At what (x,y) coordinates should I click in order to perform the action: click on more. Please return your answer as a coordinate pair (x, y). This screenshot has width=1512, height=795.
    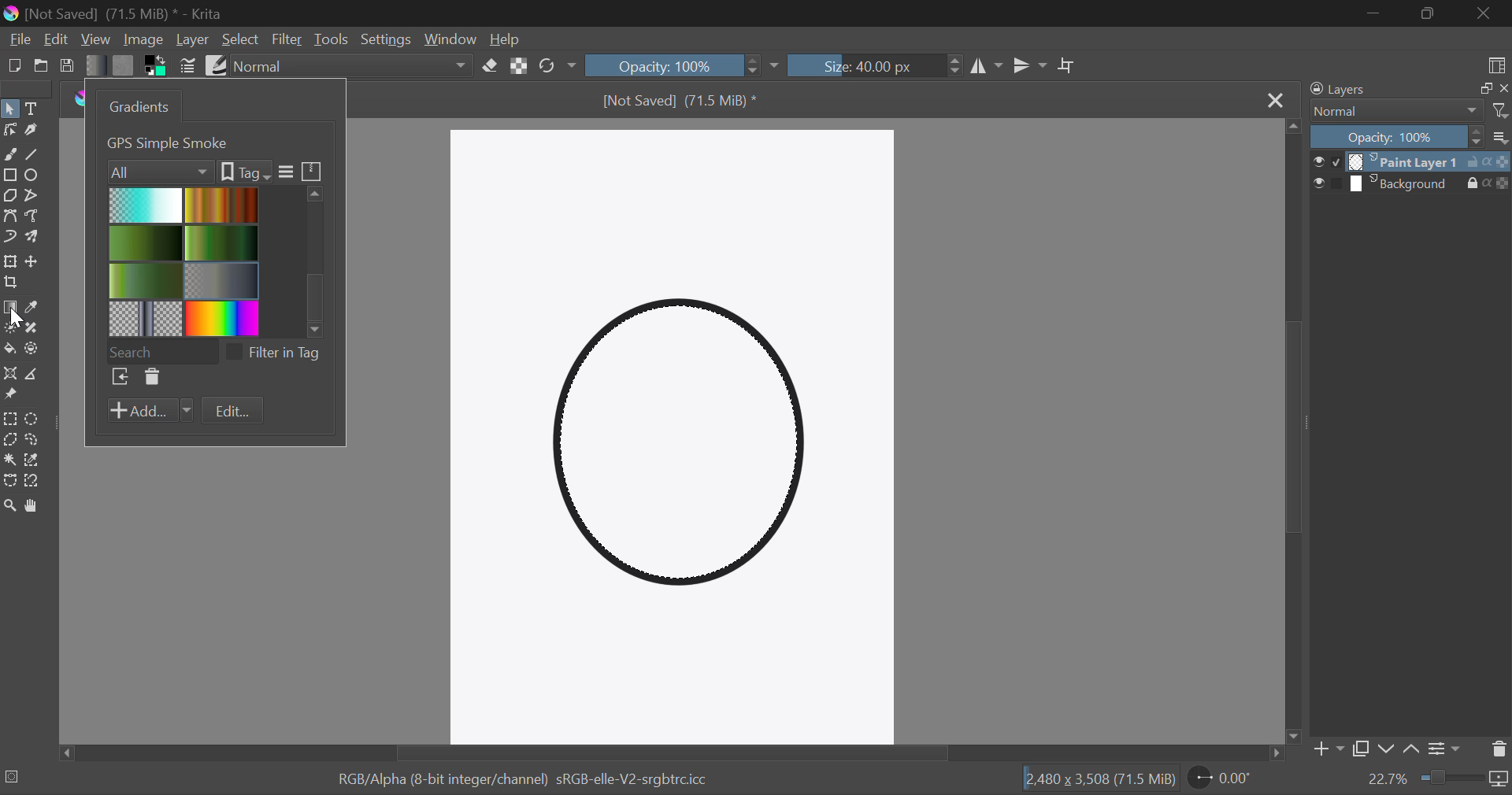
    Looking at the image, I should click on (1500, 138).